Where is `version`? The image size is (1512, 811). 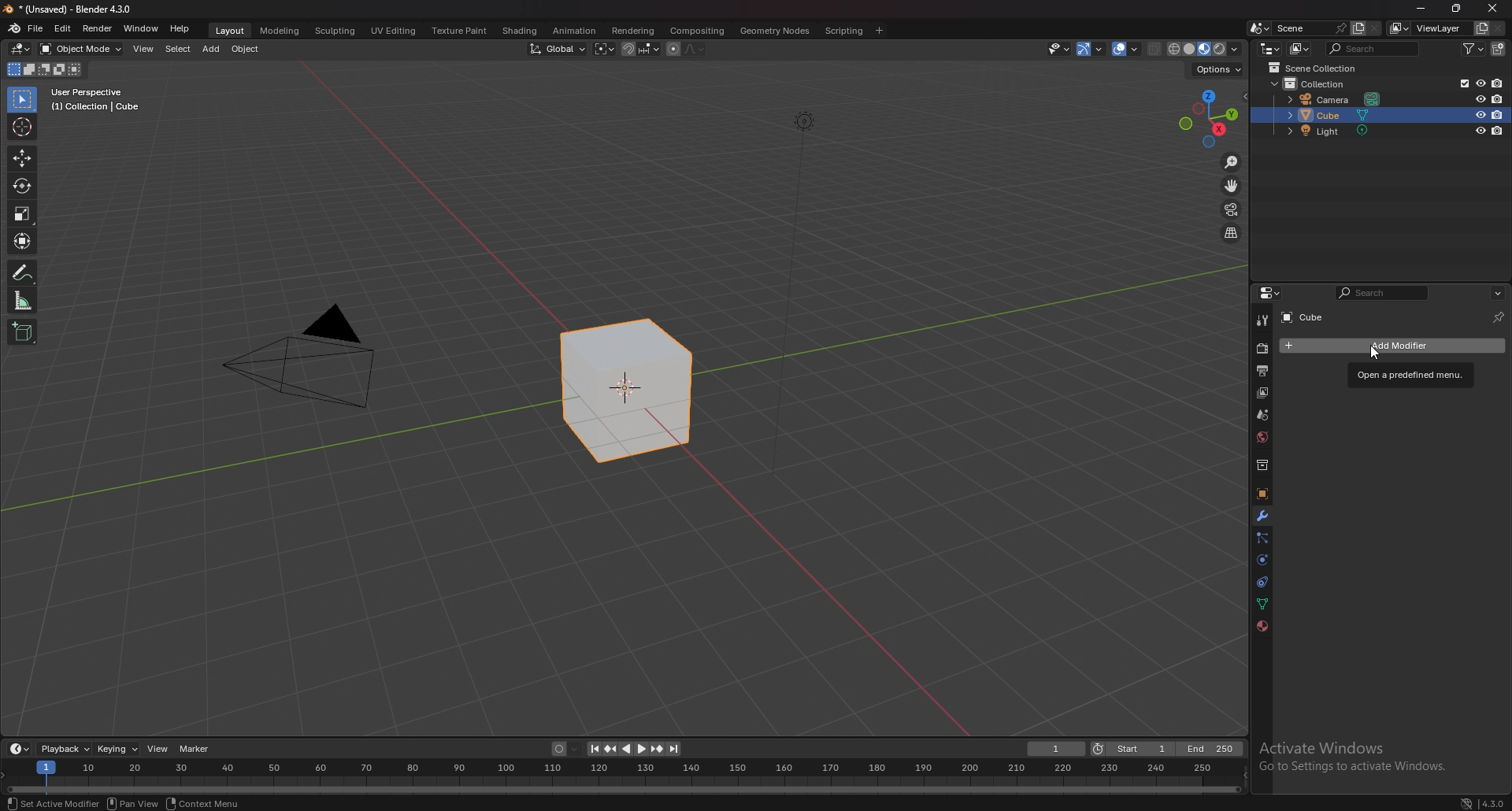 version is located at coordinates (1493, 803).